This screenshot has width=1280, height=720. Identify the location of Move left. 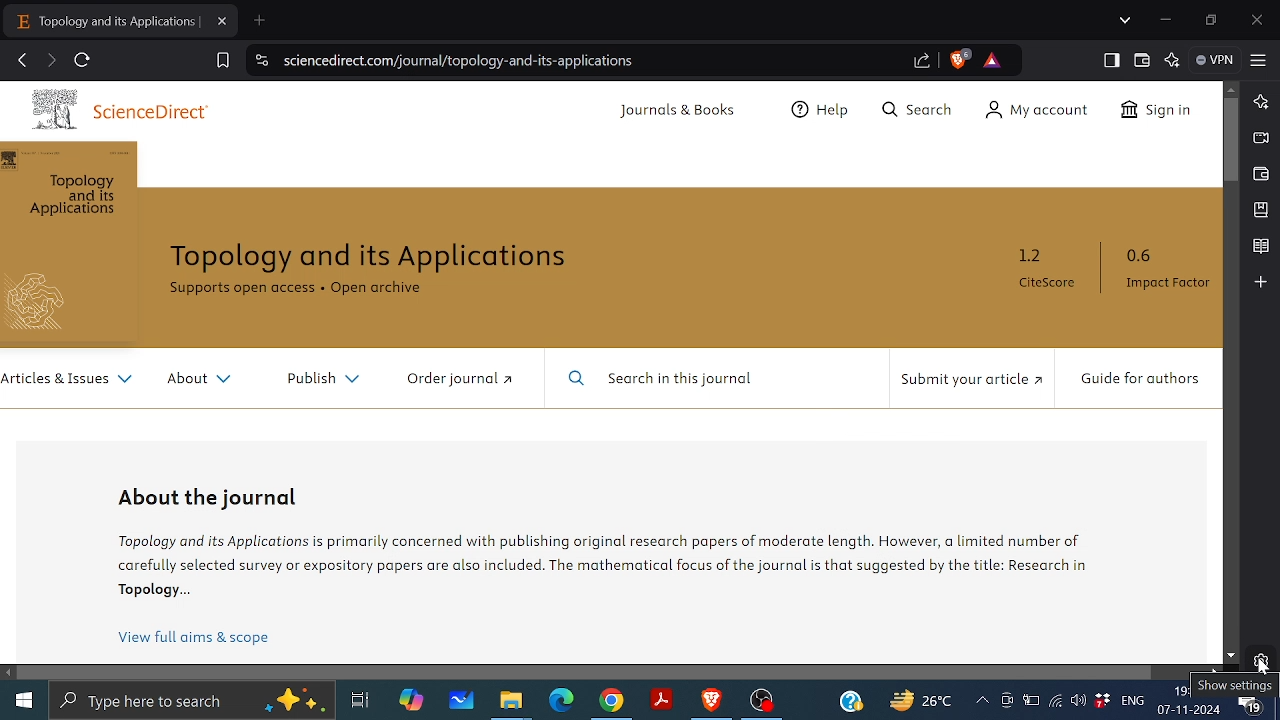
(9, 672).